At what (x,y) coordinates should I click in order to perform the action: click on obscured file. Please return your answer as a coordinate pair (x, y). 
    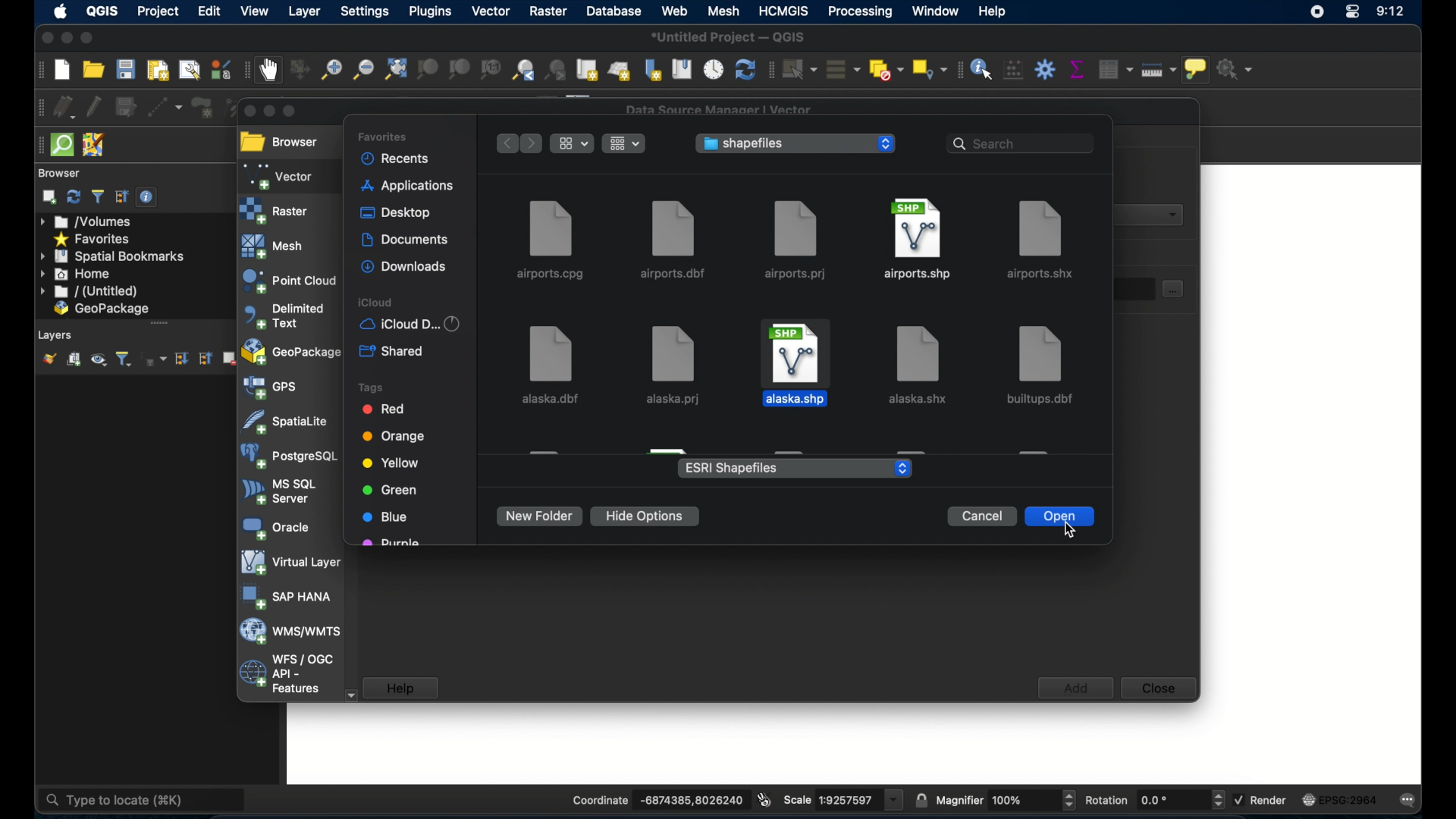
    Looking at the image, I should click on (668, 450).